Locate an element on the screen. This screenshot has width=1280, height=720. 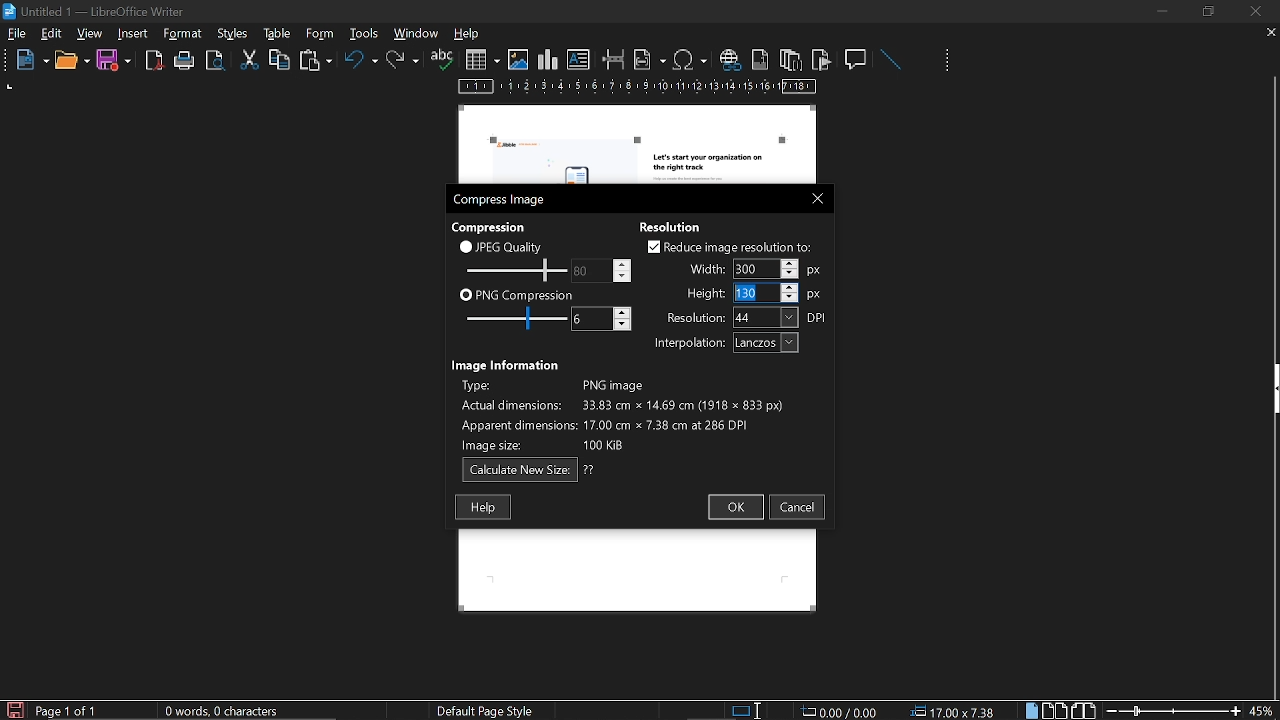
image info is located at coordinates (622, 412).